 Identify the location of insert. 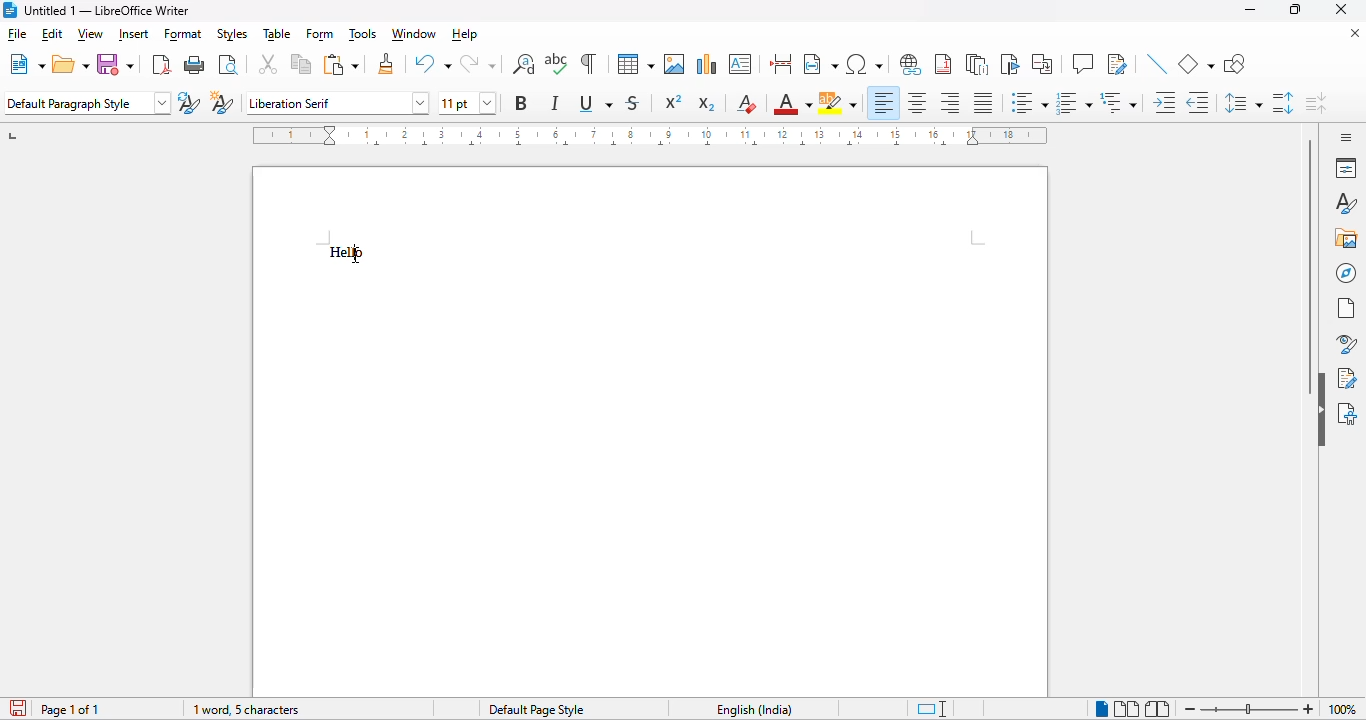
(133, 35).